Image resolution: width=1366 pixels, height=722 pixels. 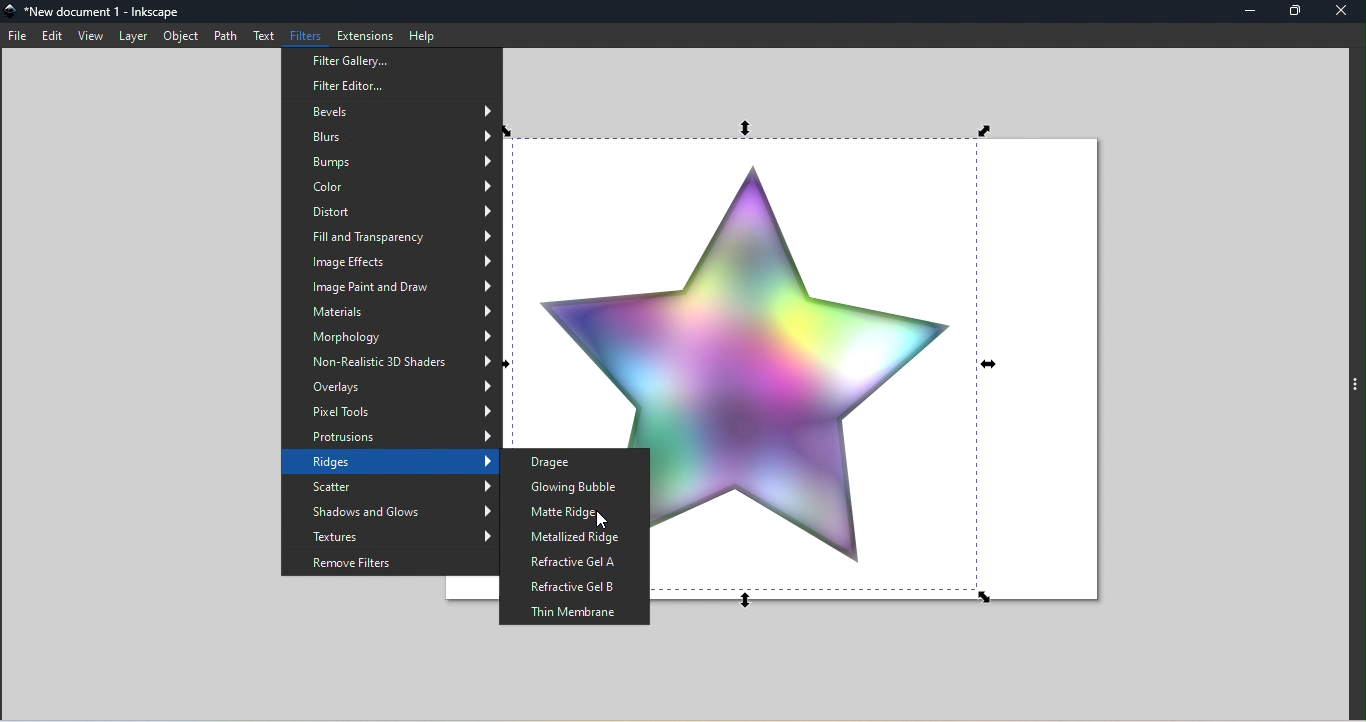 What do you see at coordinates (595, 522) in the screenshot?
I see `cursor` at bounding box center [595, 522].